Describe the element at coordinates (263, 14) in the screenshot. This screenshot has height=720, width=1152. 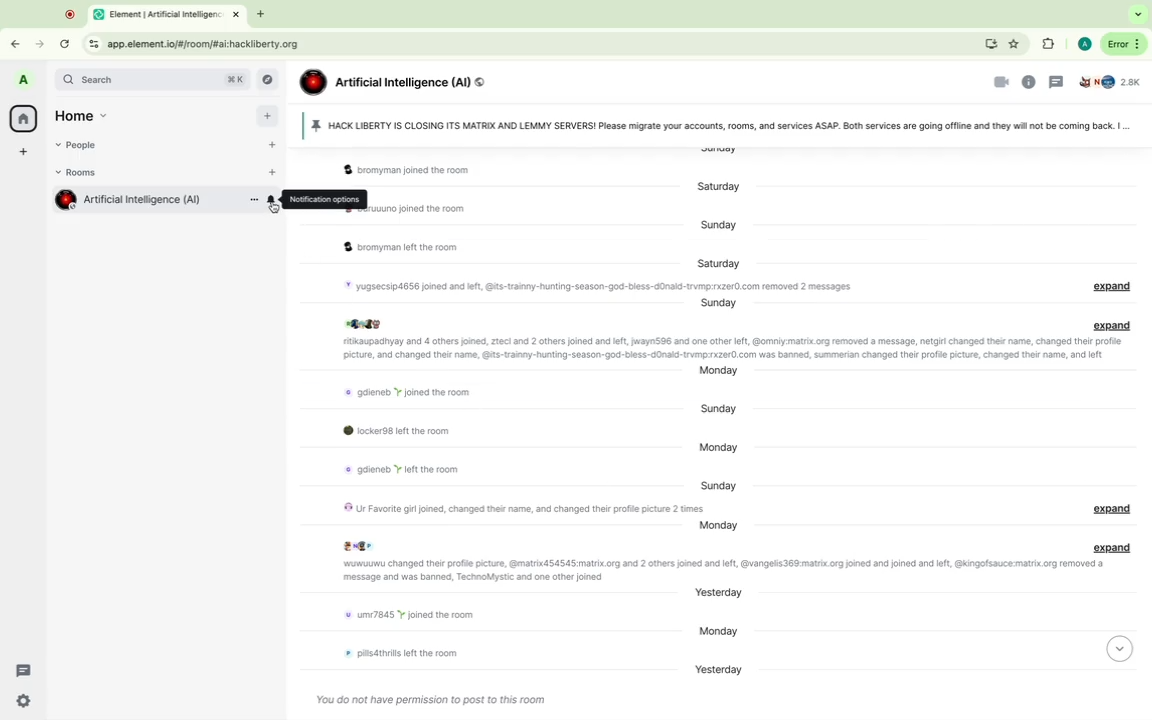
I see `New tab` at that location.